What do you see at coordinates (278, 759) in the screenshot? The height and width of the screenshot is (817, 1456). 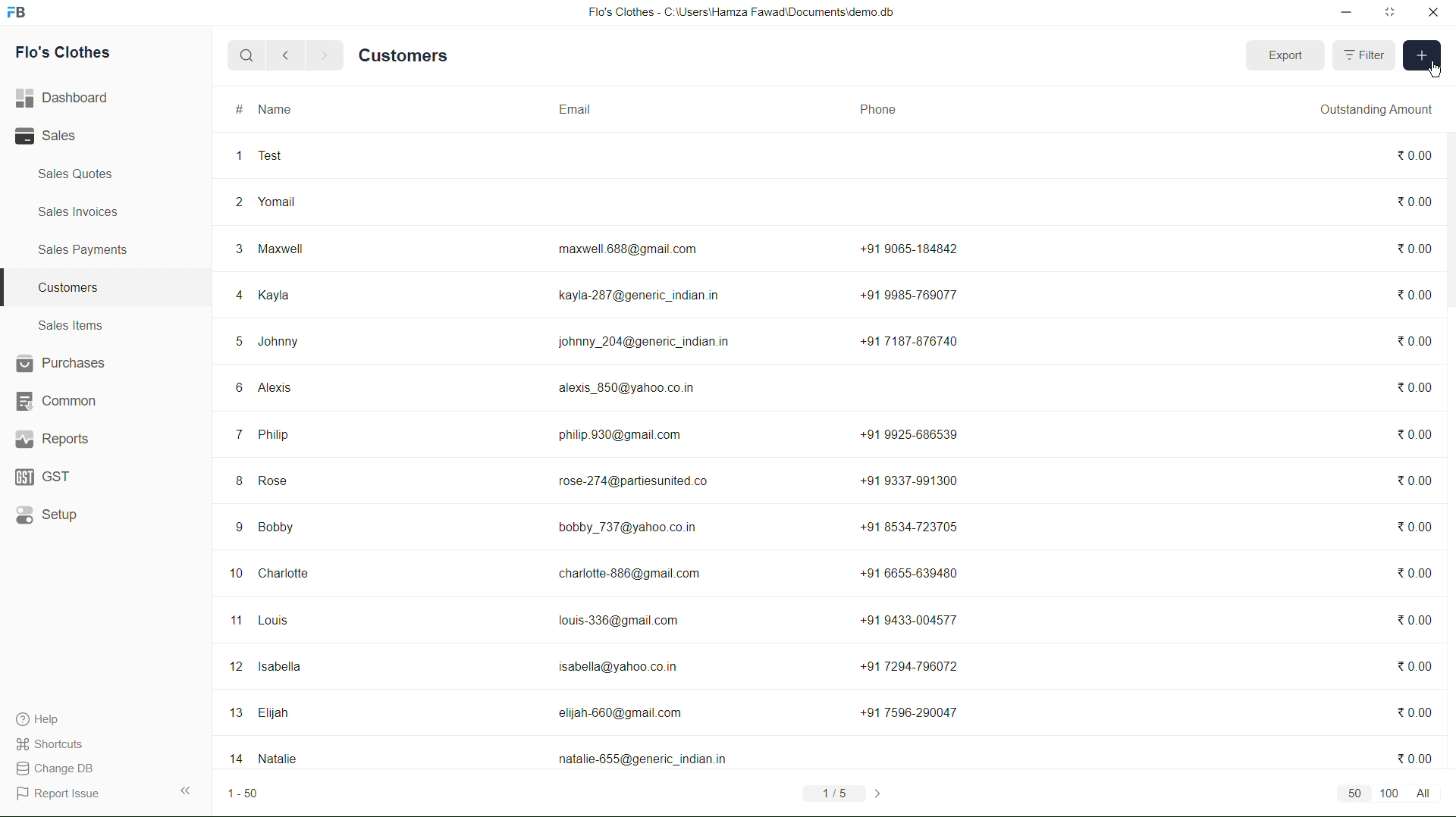 I see `Natalie` at bounding box center [278, 759].